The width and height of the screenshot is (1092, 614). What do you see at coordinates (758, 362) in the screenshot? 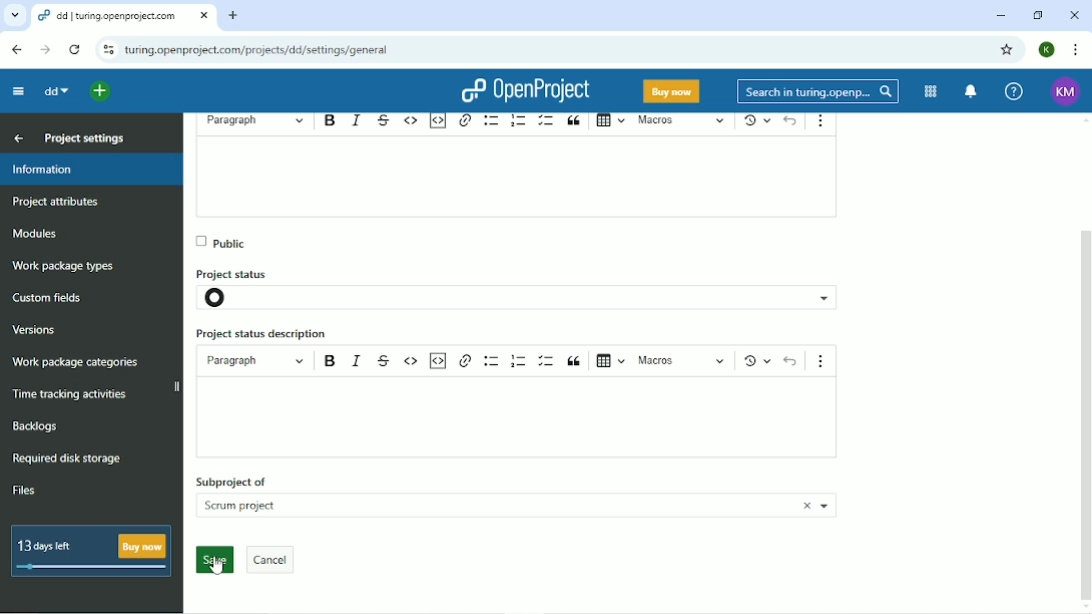
I see `Show local modifications` at bounding box center [758, 362].